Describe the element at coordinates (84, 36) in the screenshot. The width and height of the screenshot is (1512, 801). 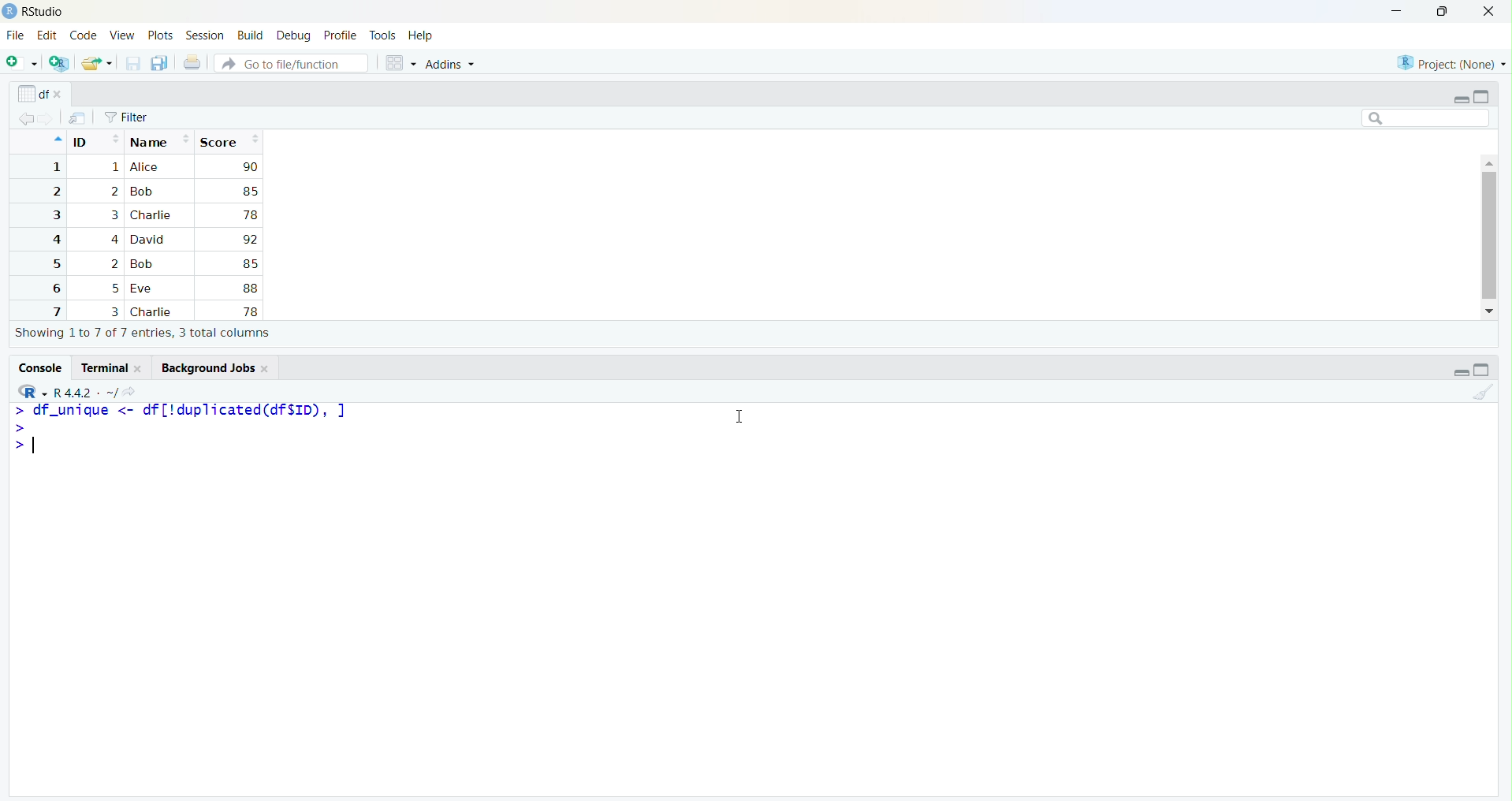
I see `Code` at that location.